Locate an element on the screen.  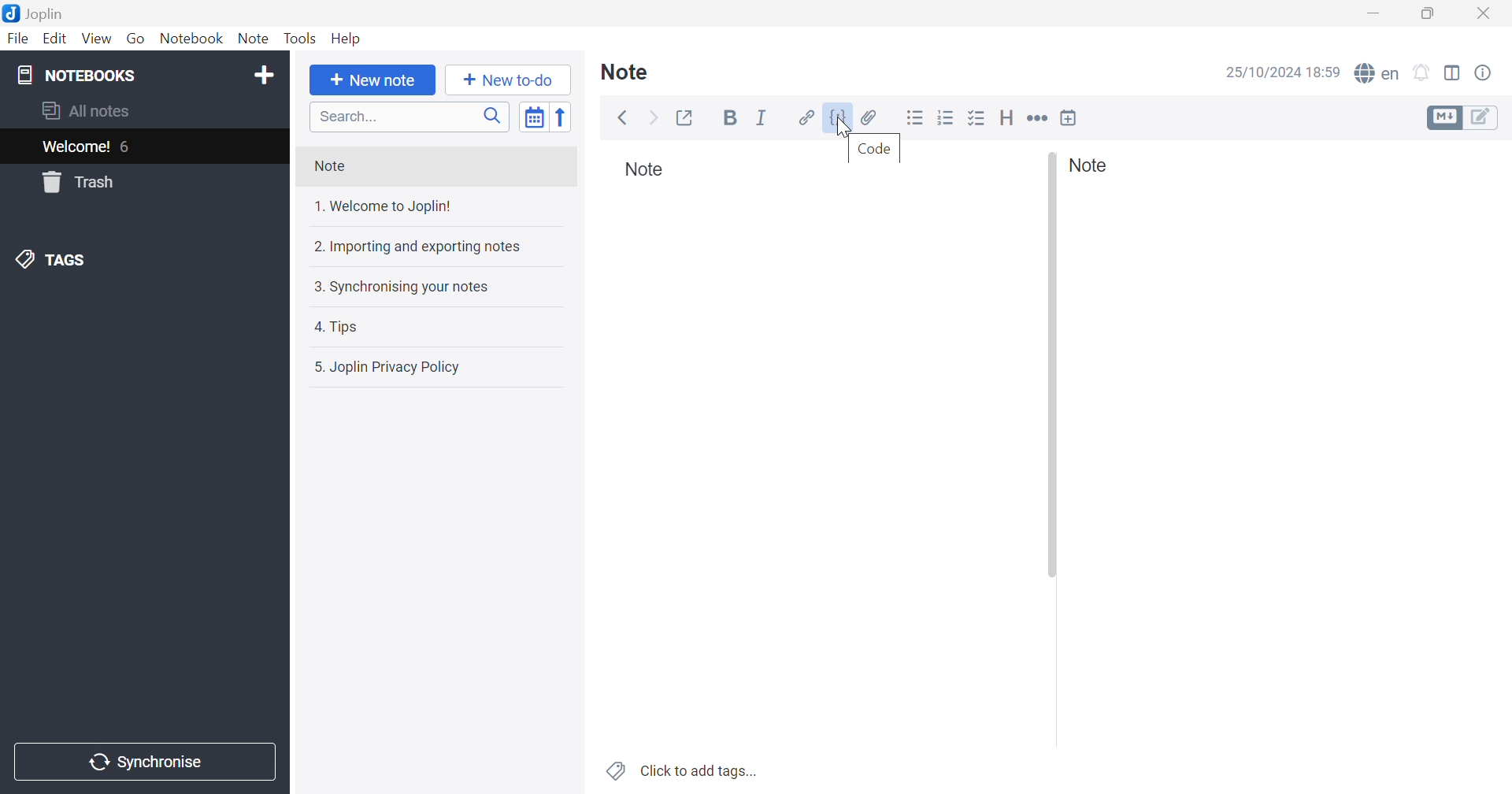
Toggle external editing is located at coordinates (684, 117).